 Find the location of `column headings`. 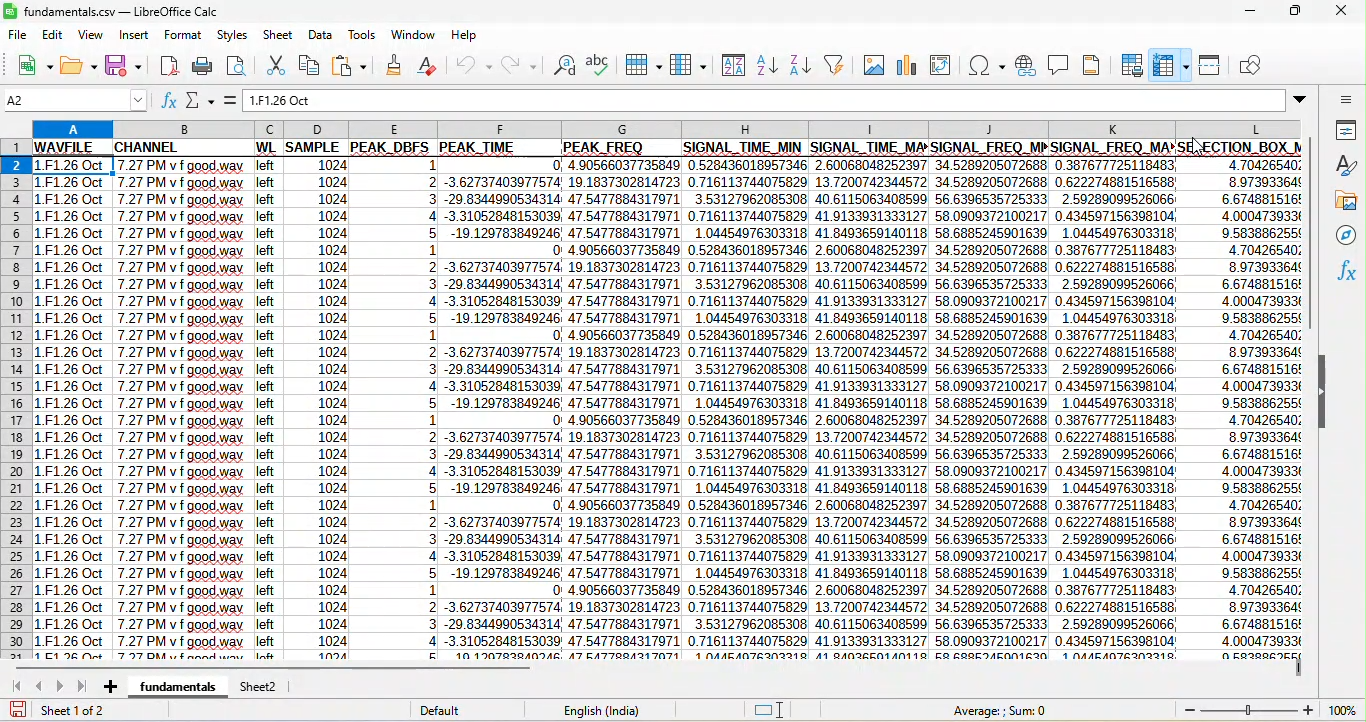

column headings is located at coordinates (668, 130).